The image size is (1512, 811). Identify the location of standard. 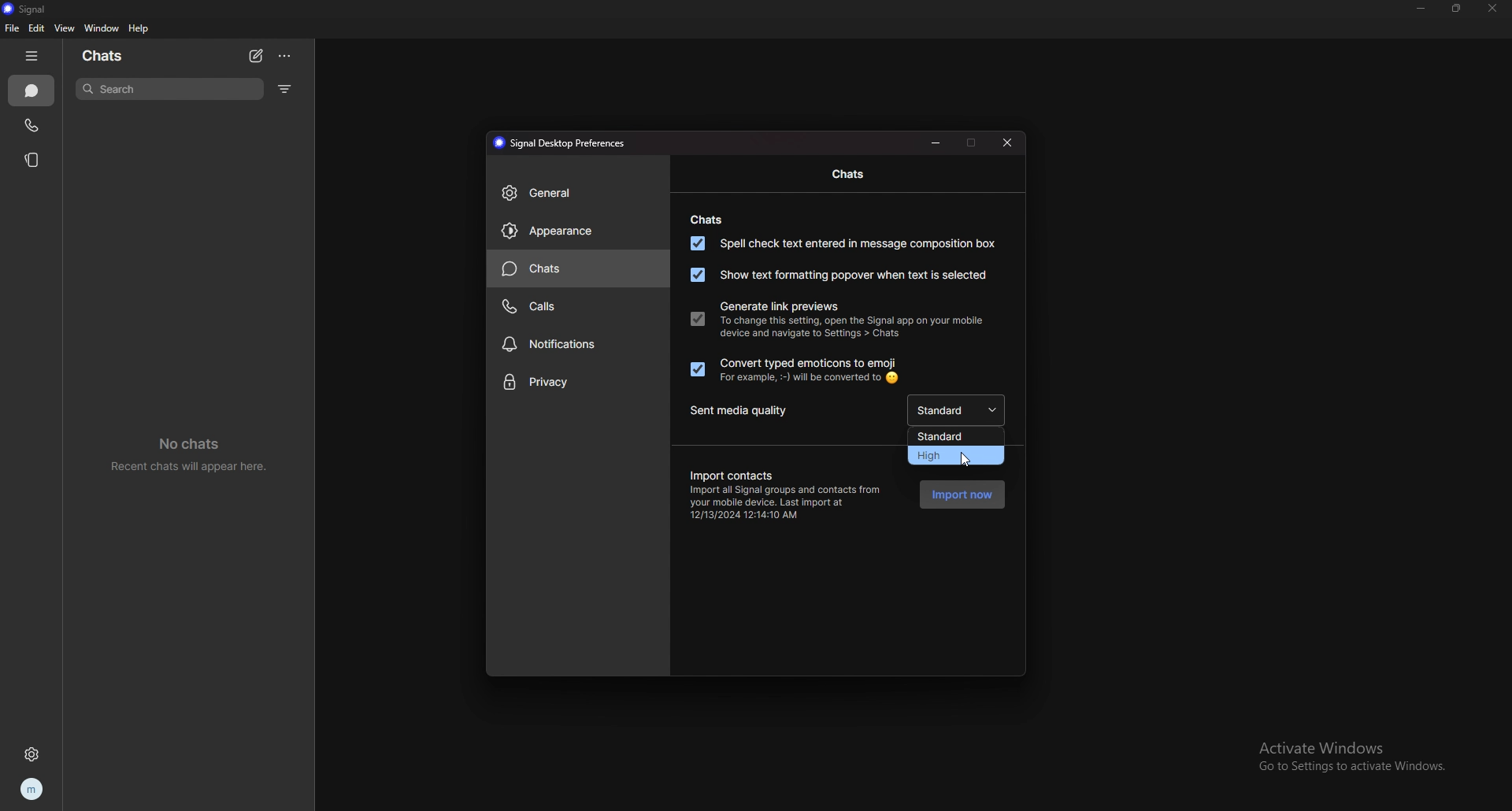
(961, 409).